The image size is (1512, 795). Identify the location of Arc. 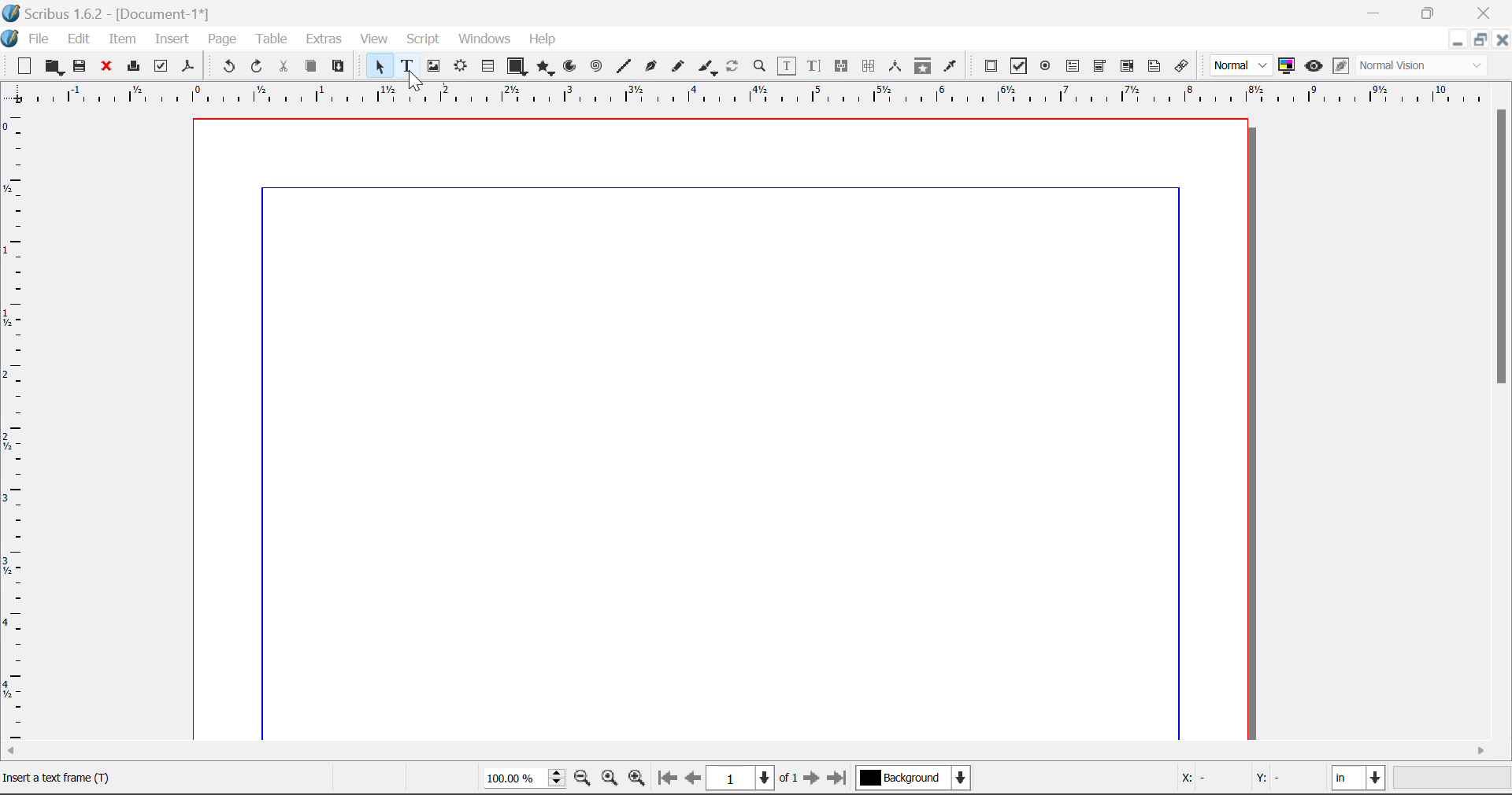
(571, 68).